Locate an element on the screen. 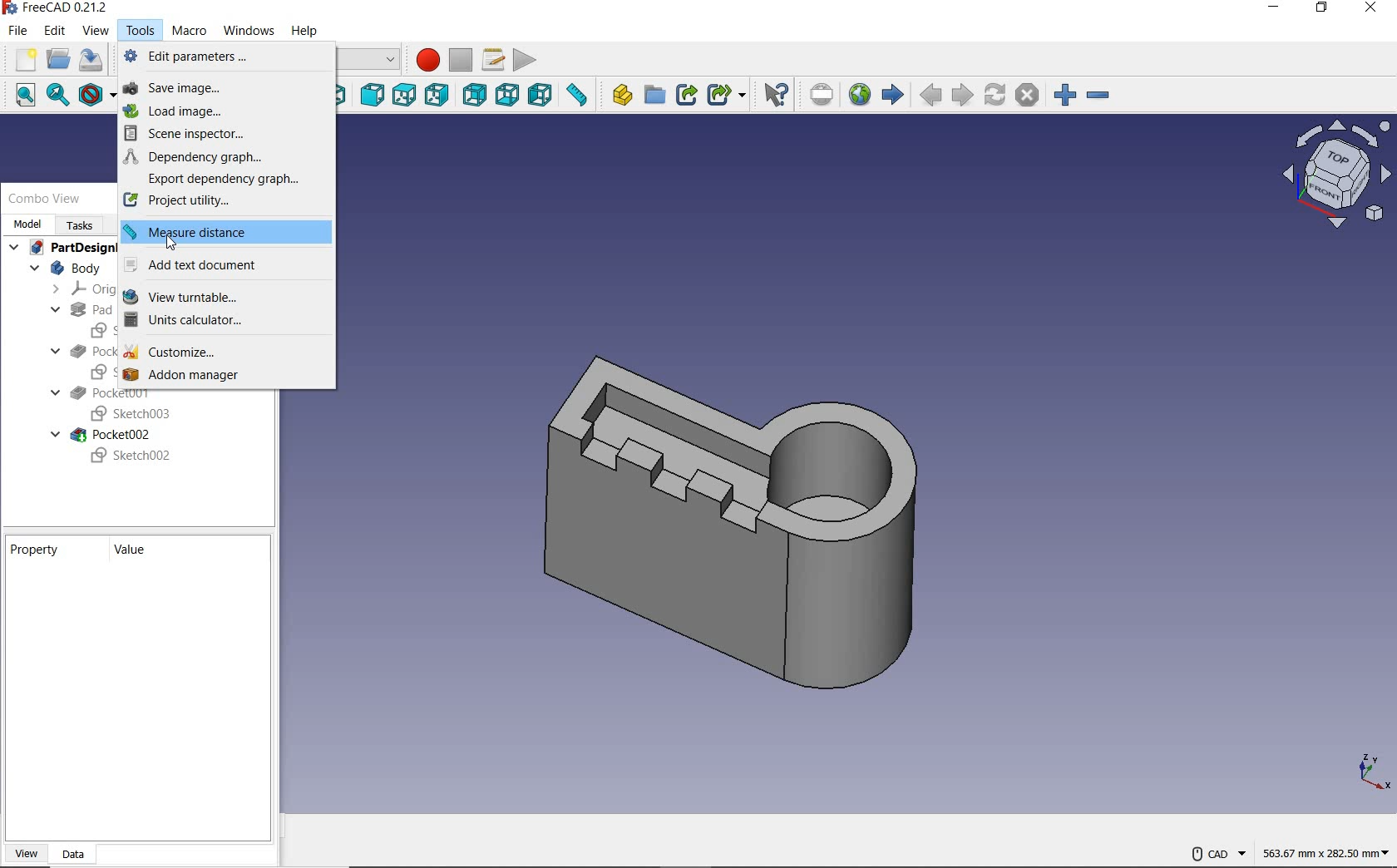  create part is located at coordinates (618, 96).